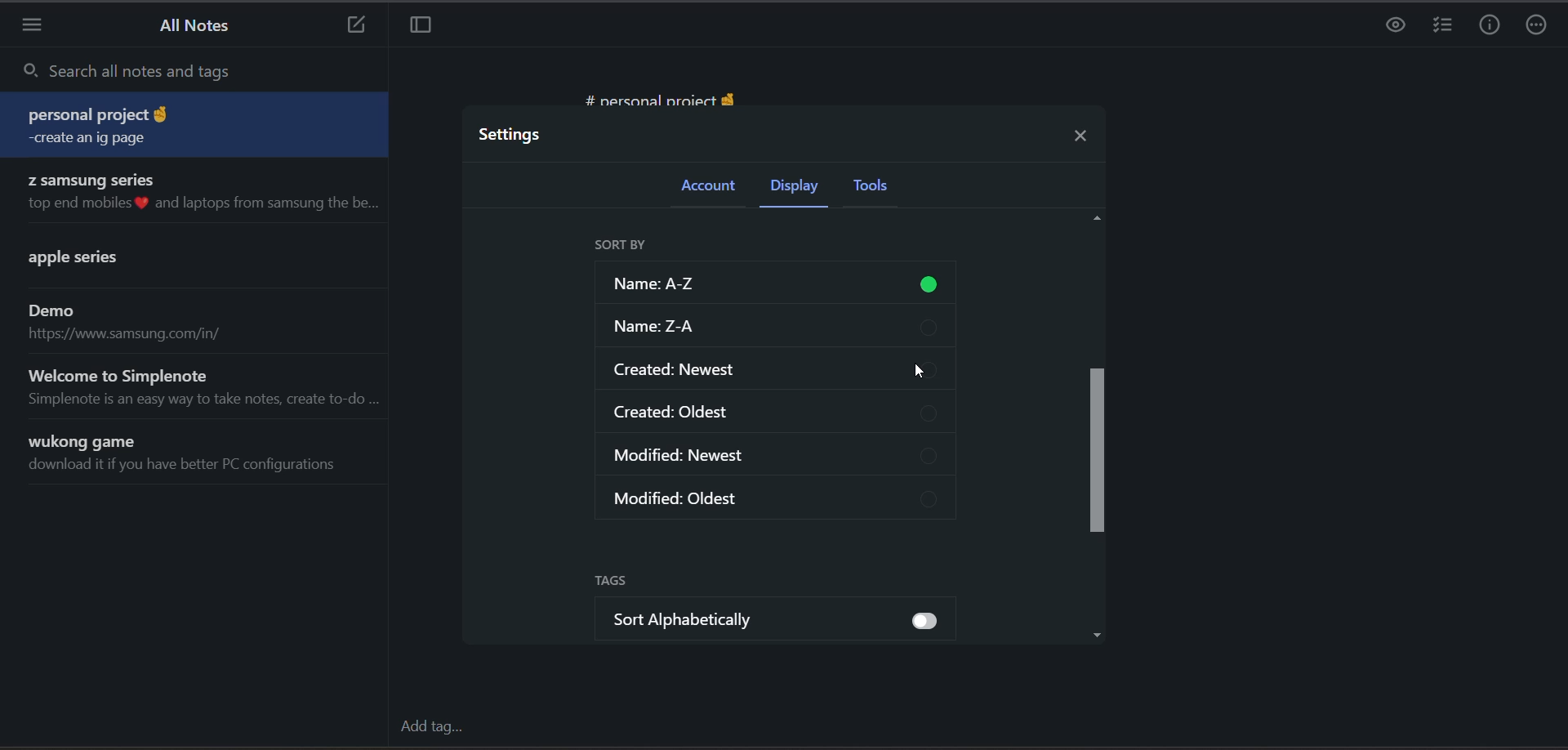 The width and height of the screenshot is (1568, 750). I want to click on close, so click(1076, 136).